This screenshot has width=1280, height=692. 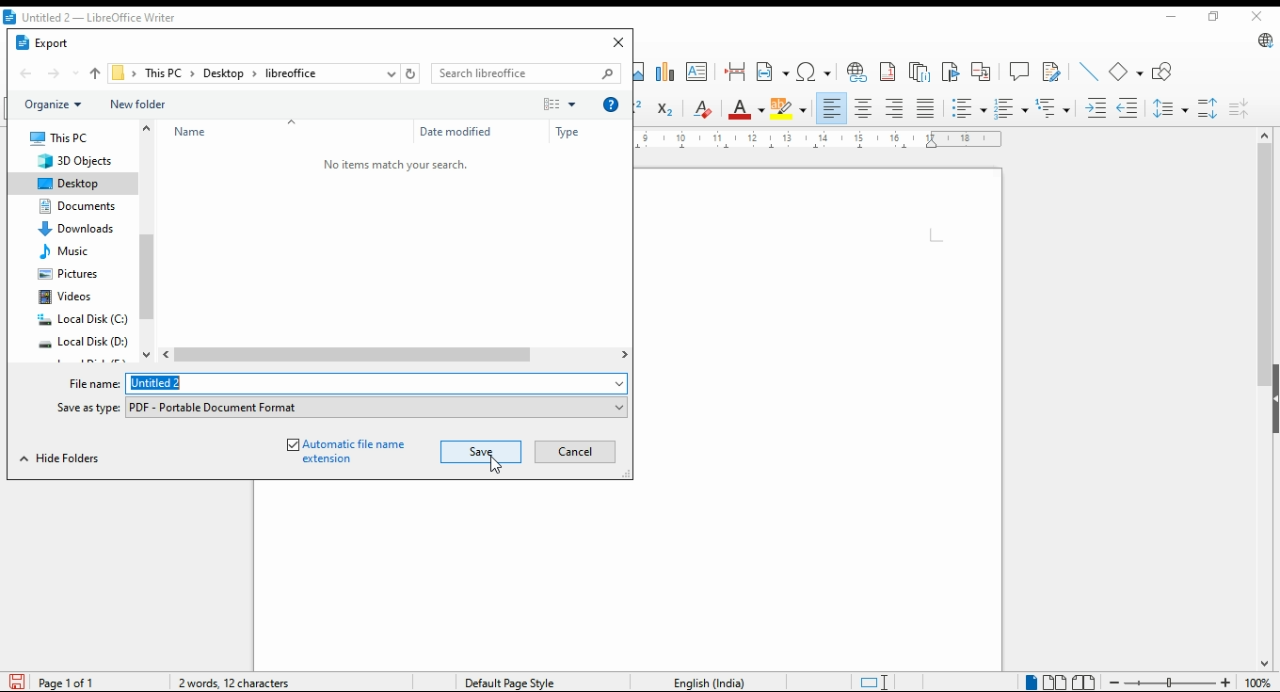 I want to click on minimize, so click(x=1173, y=16).